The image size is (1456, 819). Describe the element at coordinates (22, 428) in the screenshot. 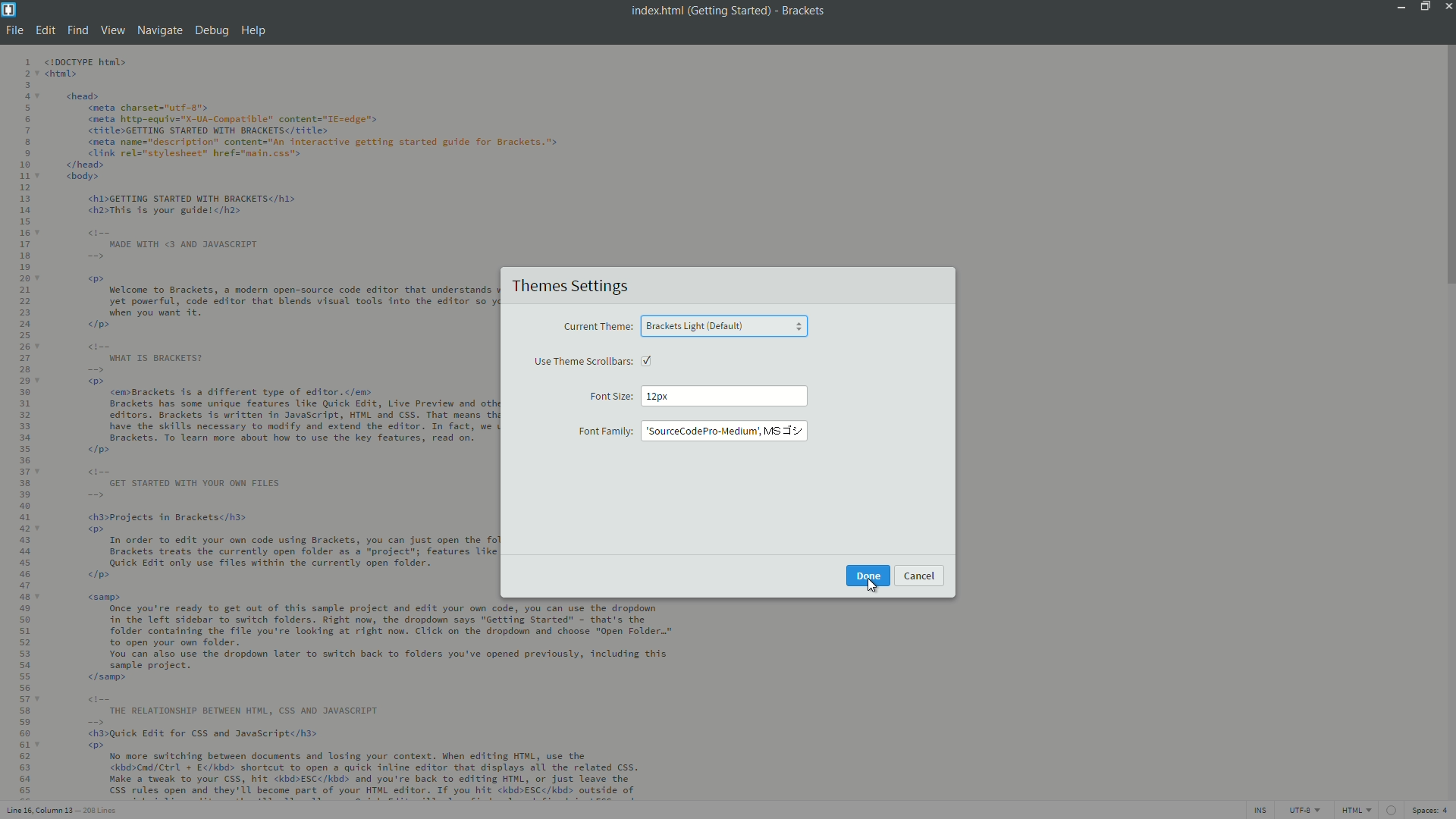

I see `line numbers` at that location.